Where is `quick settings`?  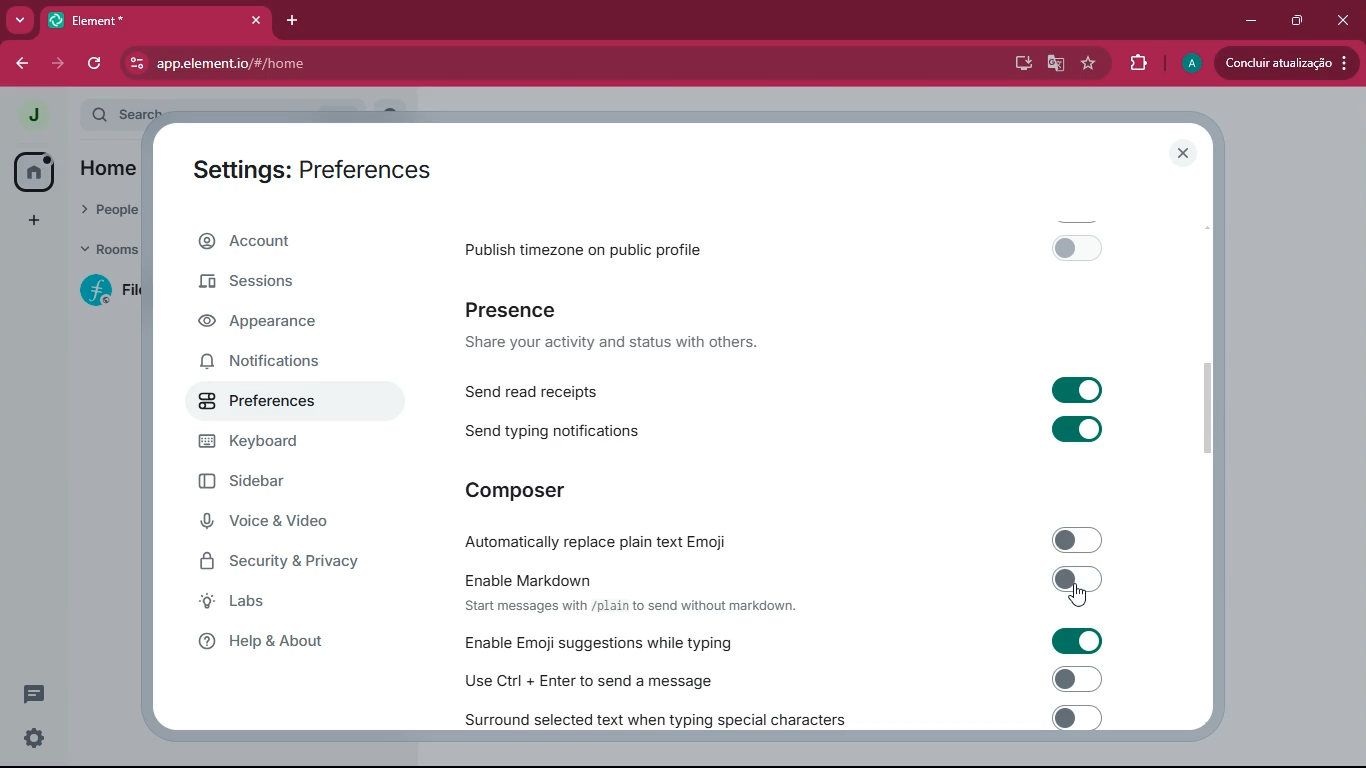
quick settings is located at coordinates (32, 740).